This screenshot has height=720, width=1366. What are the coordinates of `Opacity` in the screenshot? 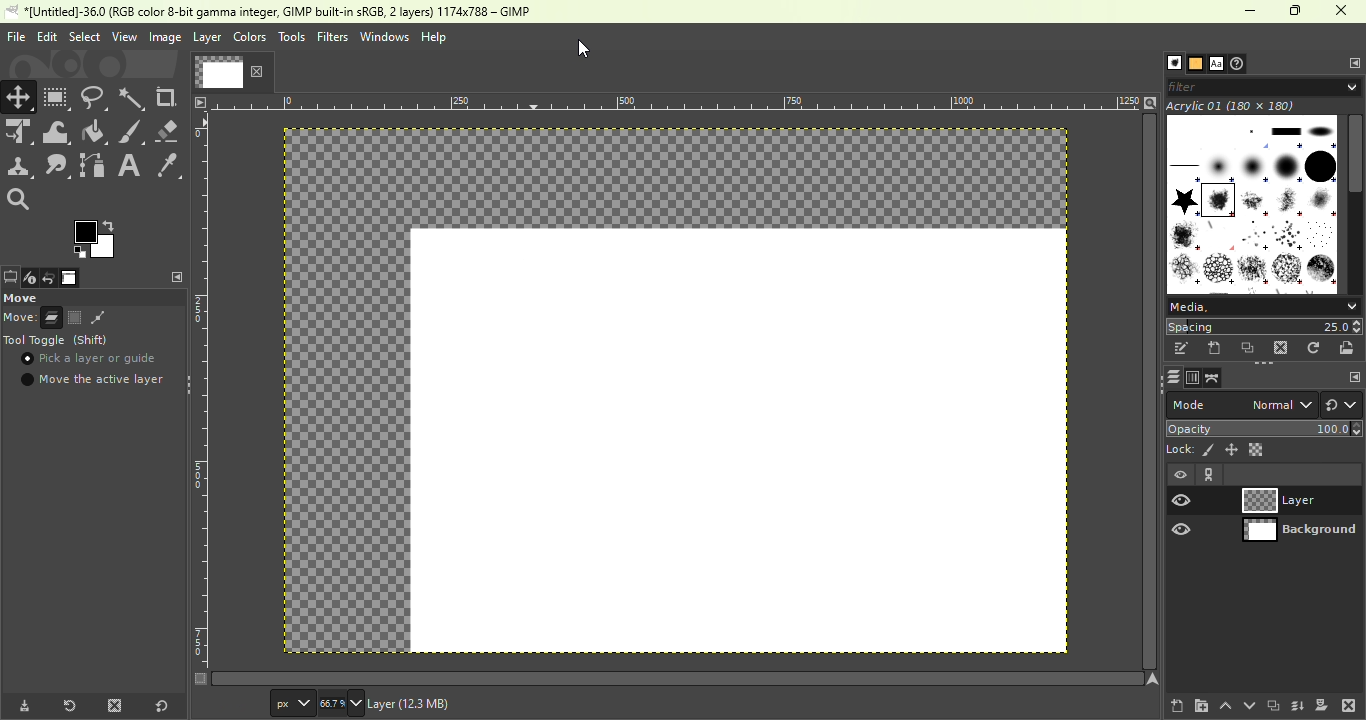 It's located at (1266, 428).